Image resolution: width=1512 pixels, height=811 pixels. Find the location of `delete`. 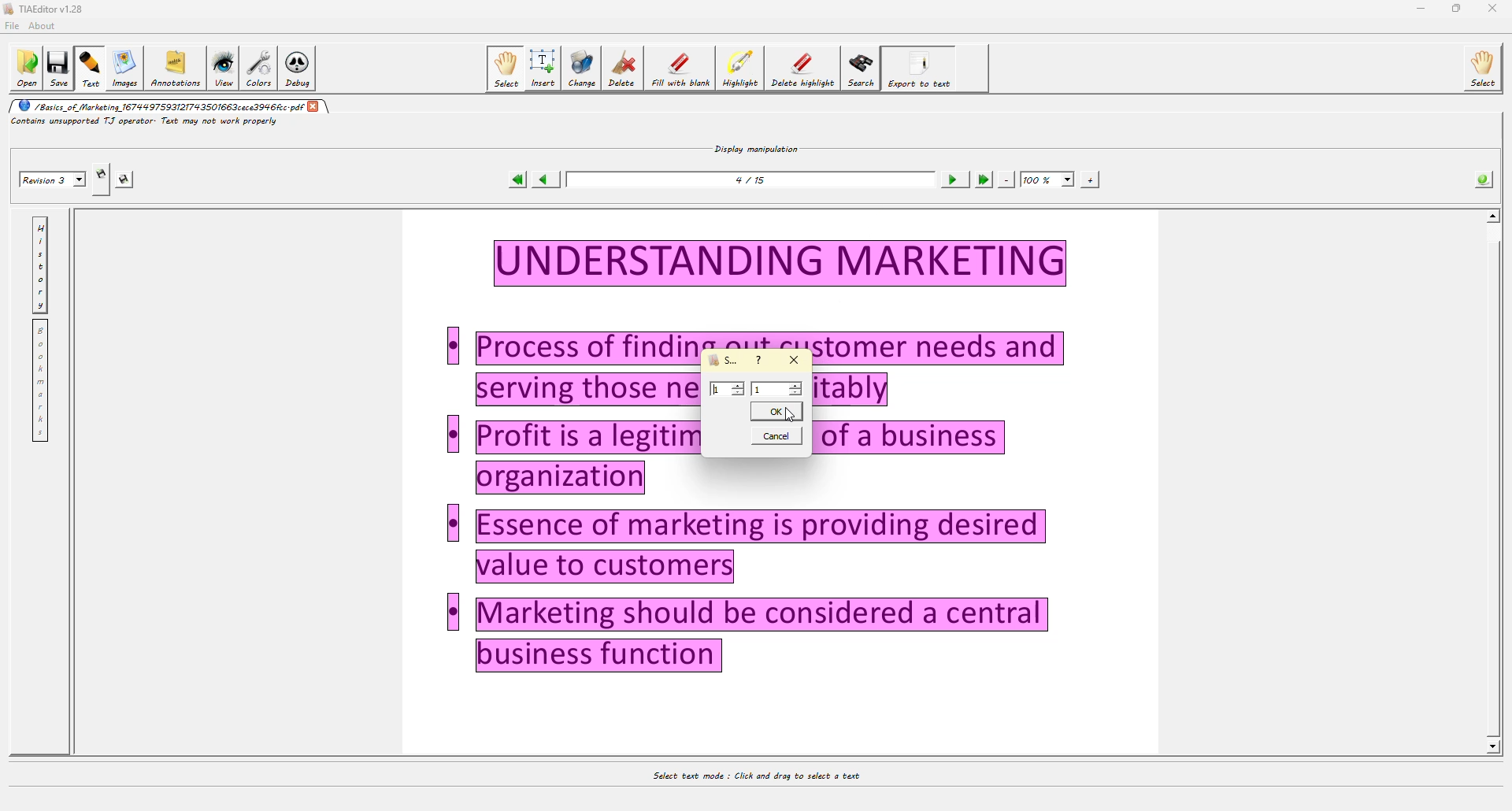

delete is located at coordinates (621, 70).